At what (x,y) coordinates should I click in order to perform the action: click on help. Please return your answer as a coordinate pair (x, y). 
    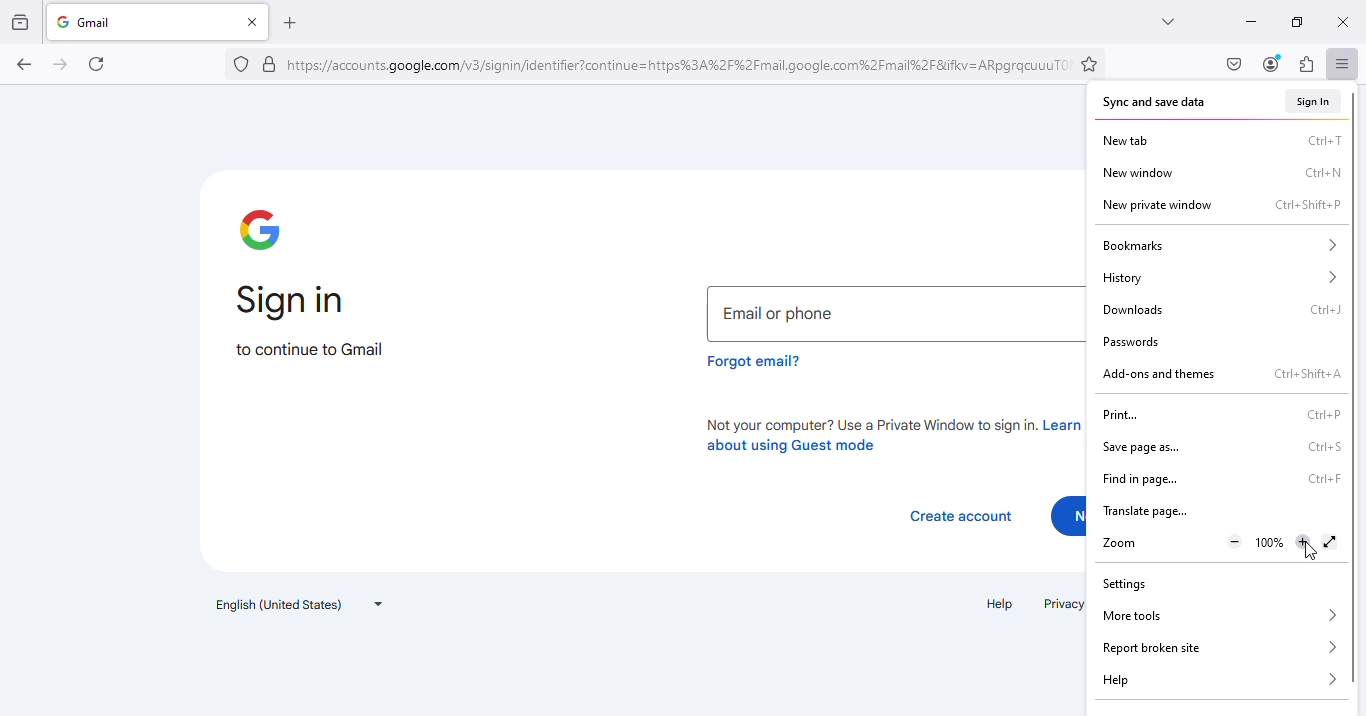
    Looking at the image, I should click on (1001, 603).